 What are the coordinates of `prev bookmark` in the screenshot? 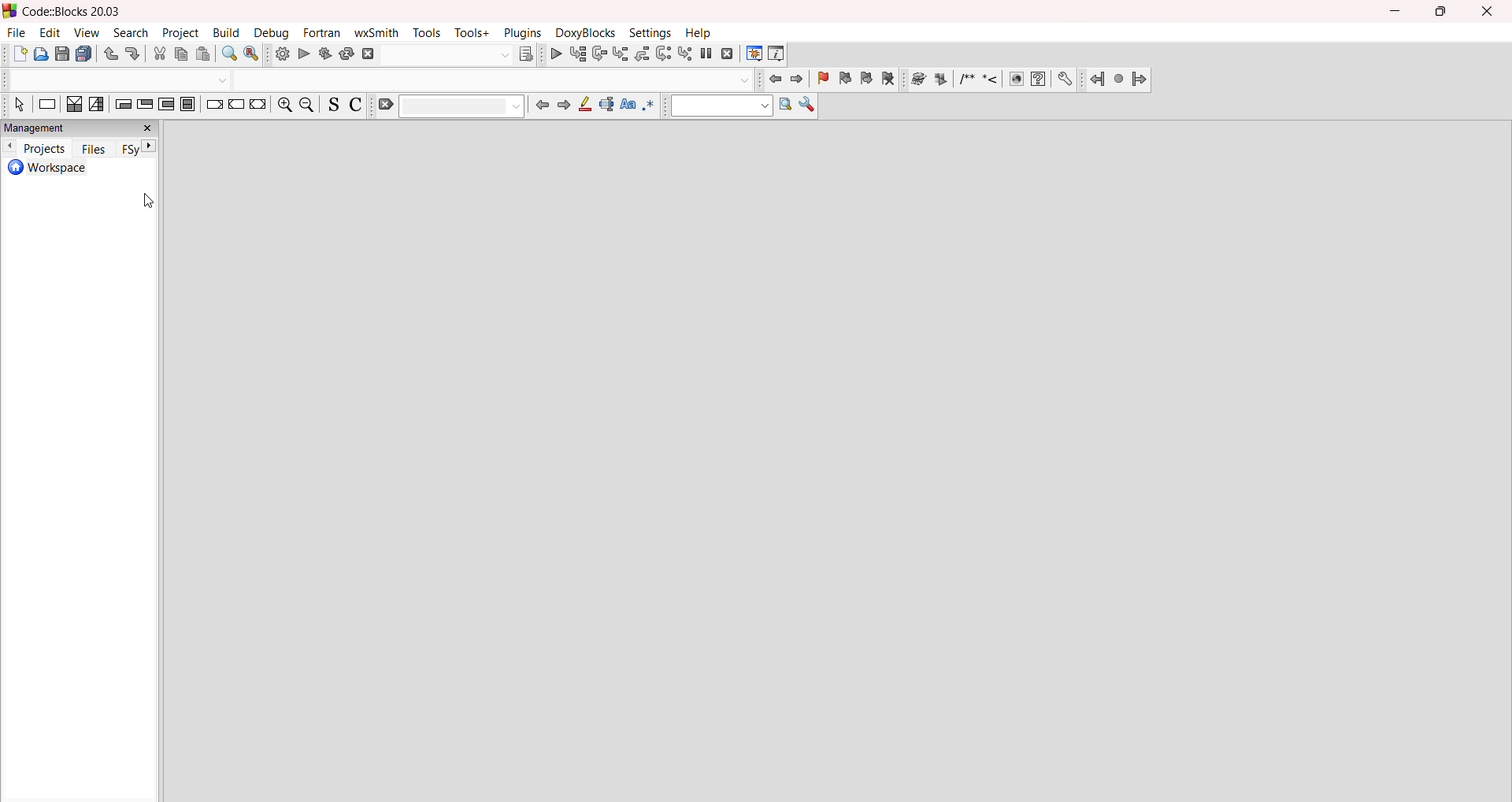 It's located at (846, 81).